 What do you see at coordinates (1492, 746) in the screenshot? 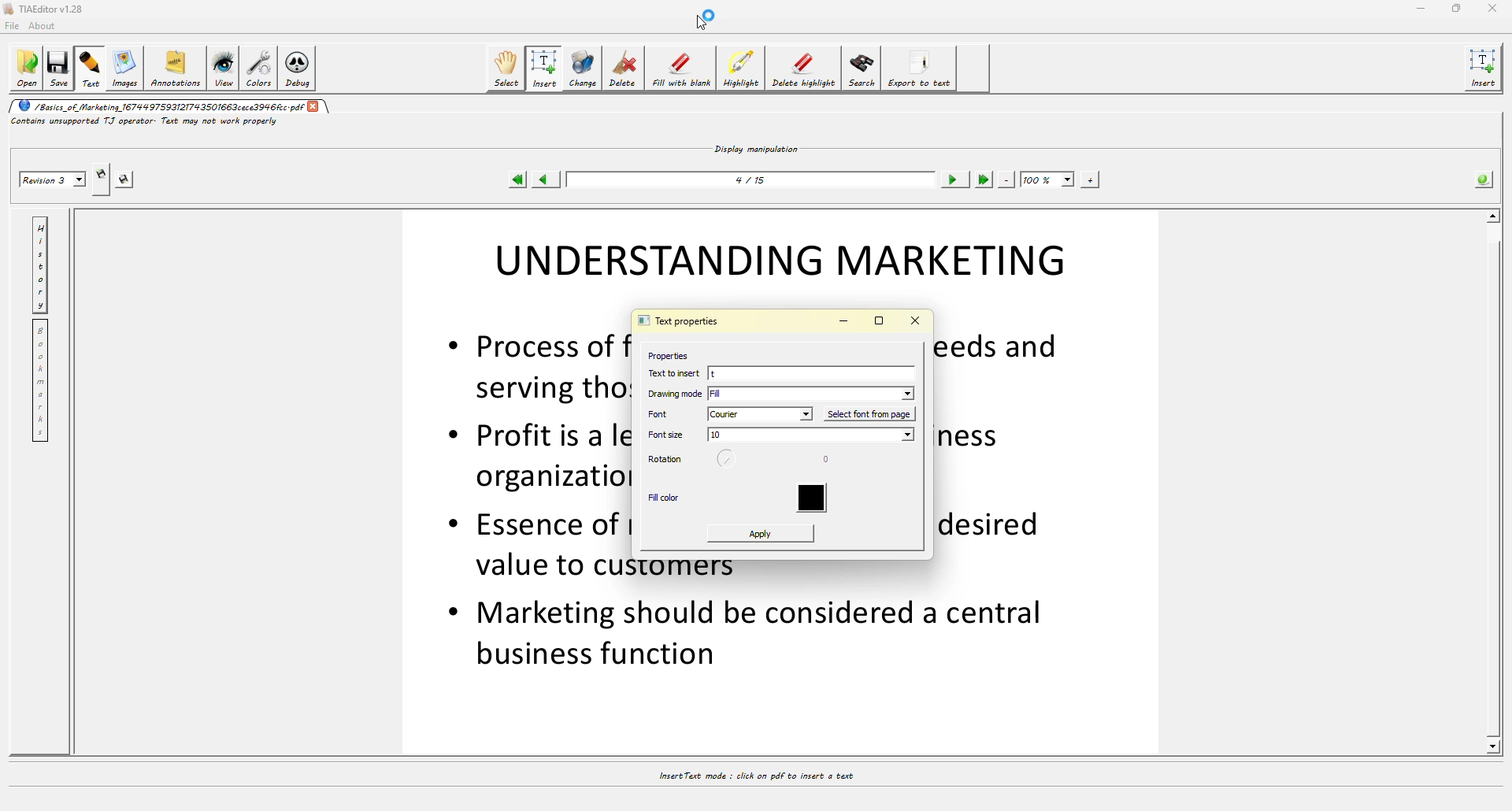
I see `scroll down` at bounding box center [1492, 746].